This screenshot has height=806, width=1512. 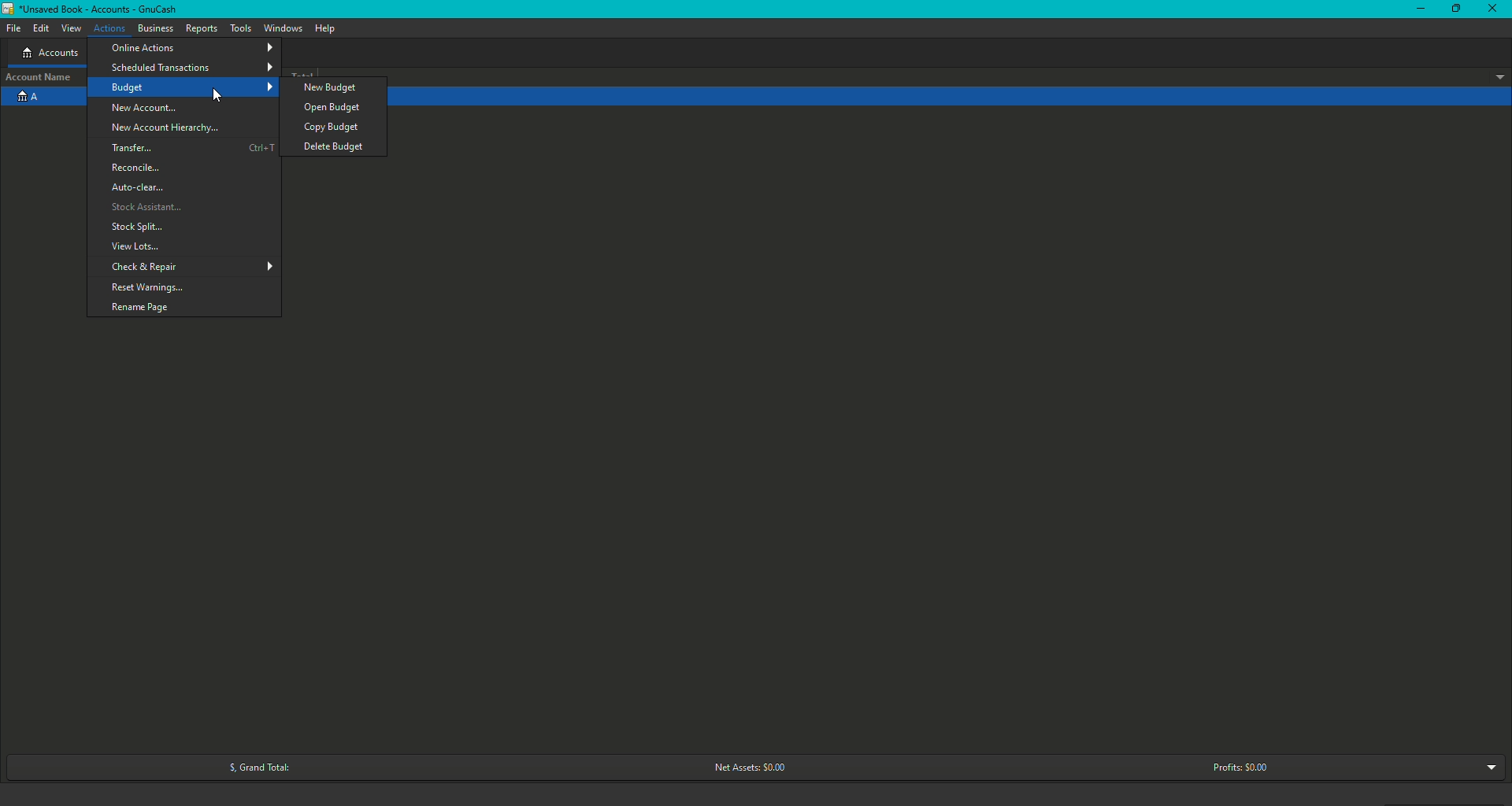 I want to click on New Budget, so click(x=333, y=88).